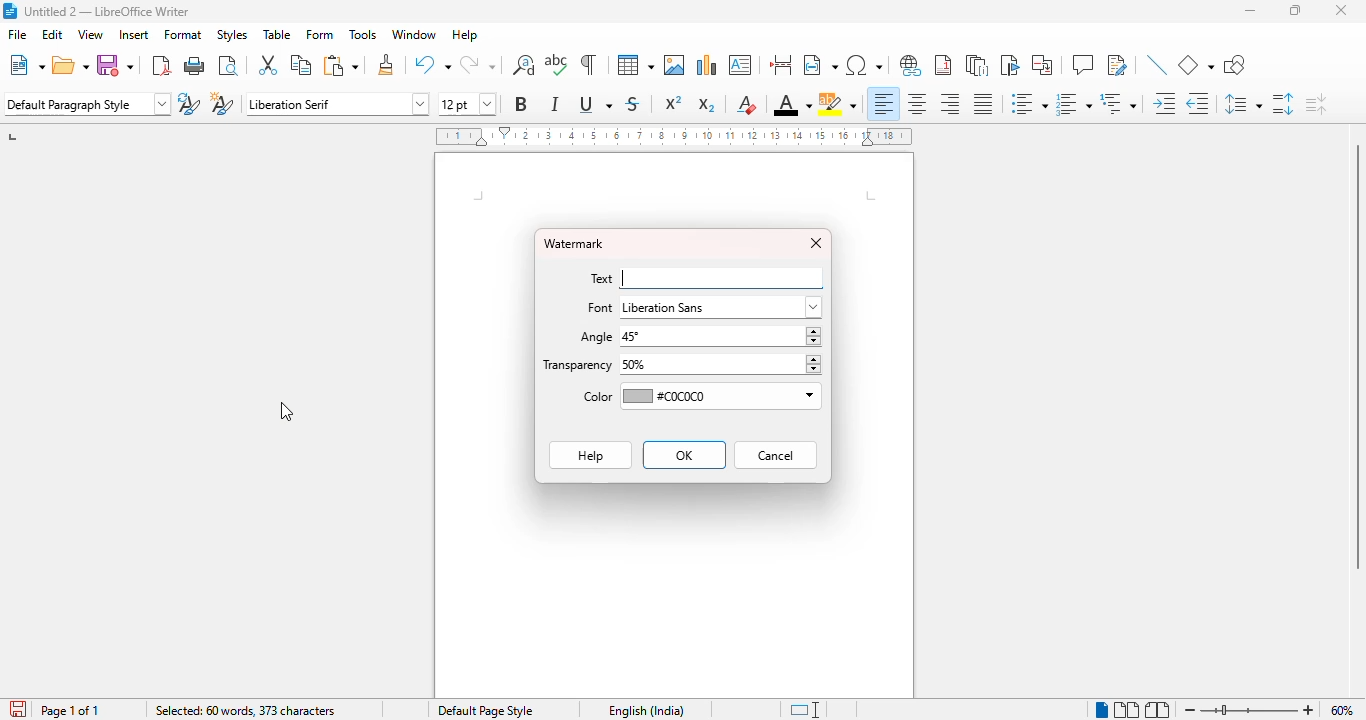 The image size is (1366, 720). I want to click on new, so click(27, 65).